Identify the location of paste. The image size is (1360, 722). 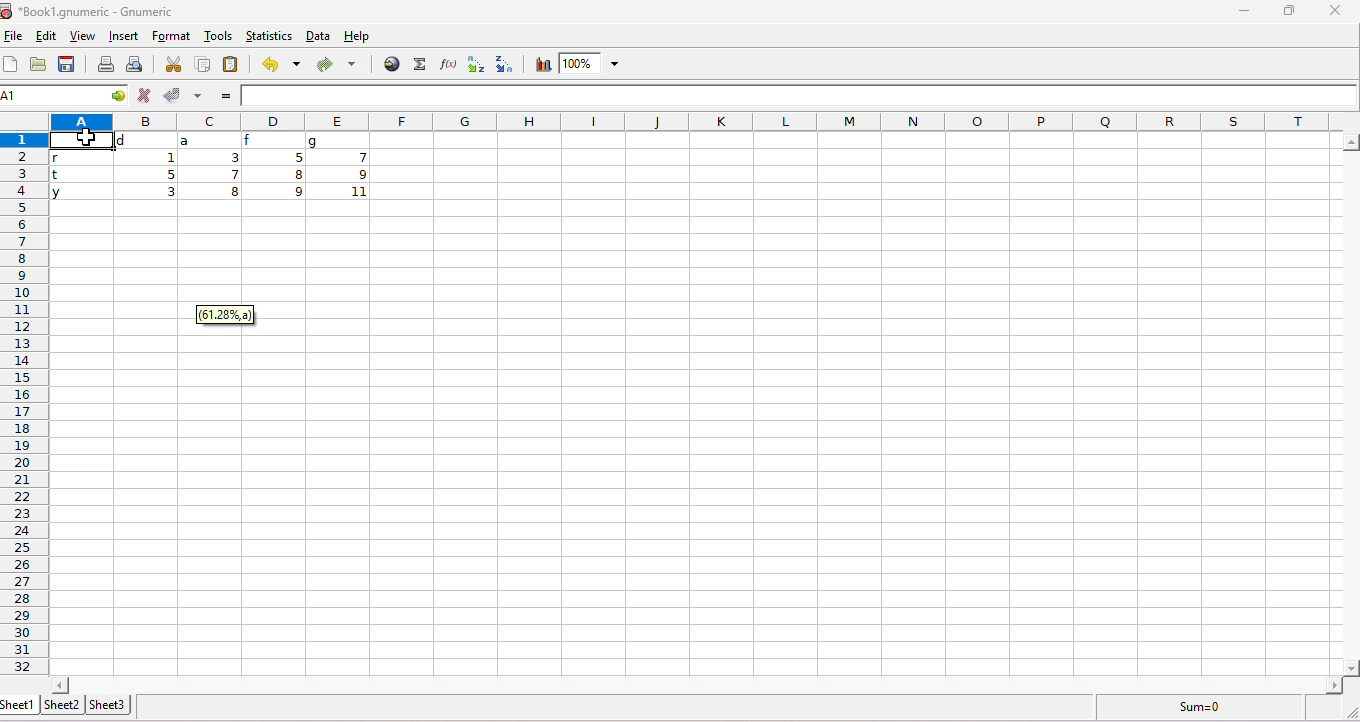
(232, 66).